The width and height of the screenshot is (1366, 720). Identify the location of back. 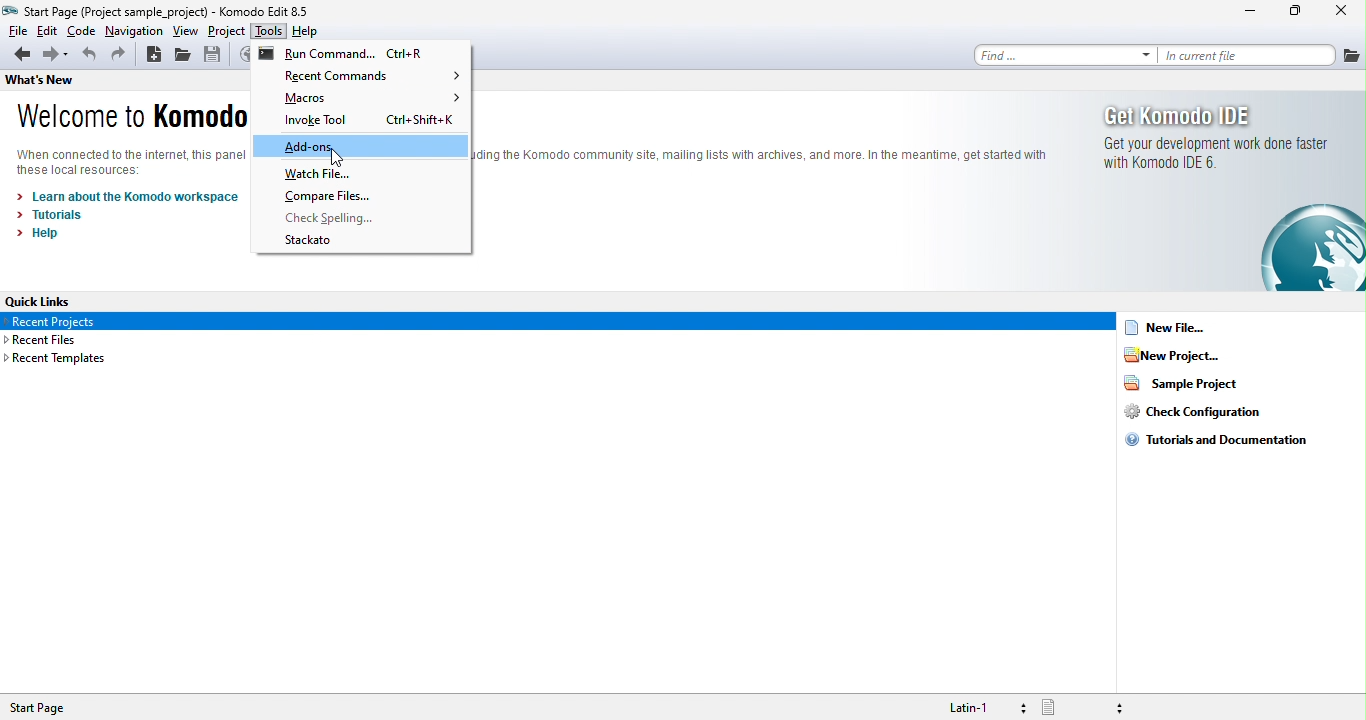
(21, 56).